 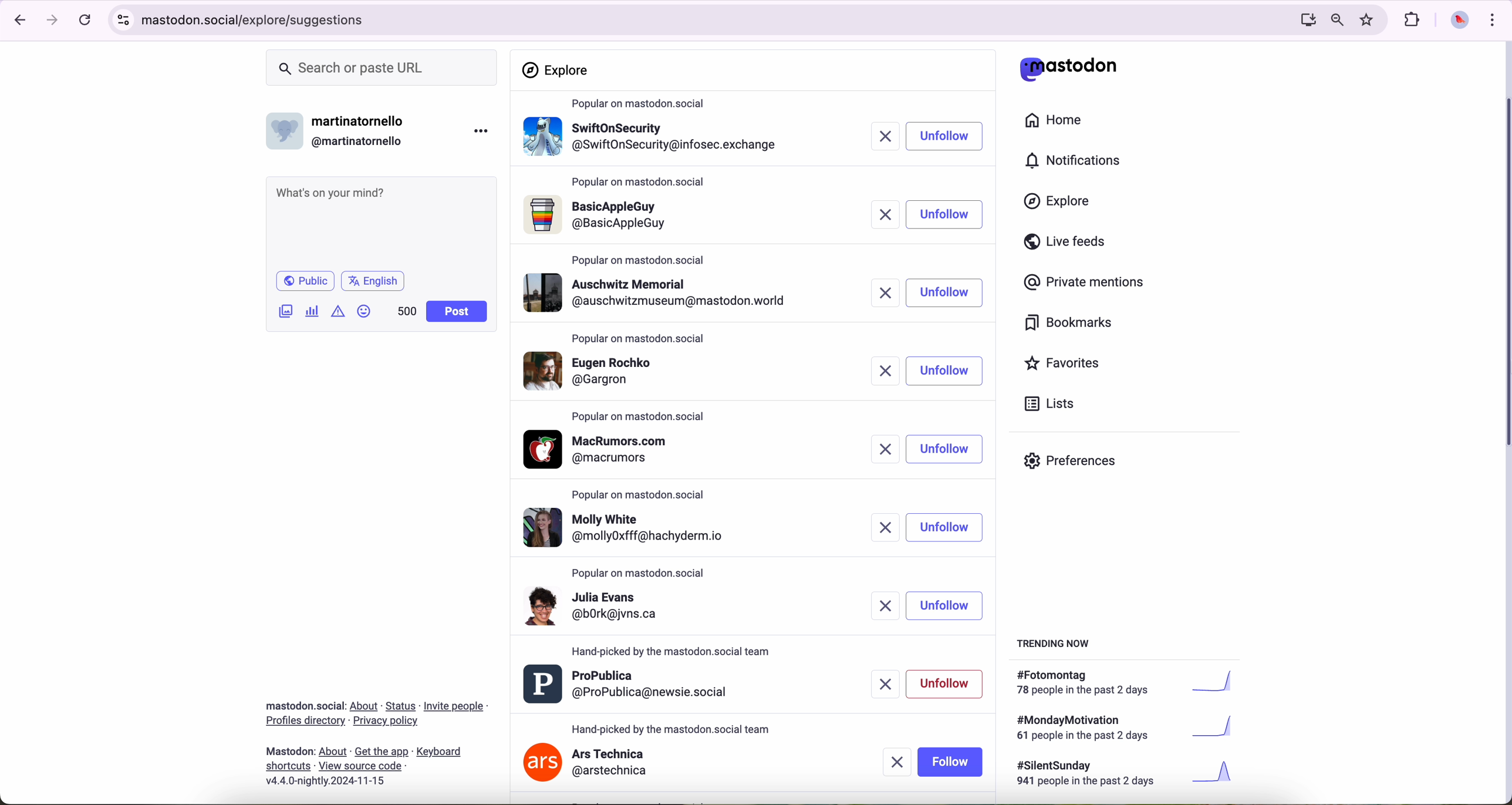 What do you see at coordinates (654, 218) in the screenshot?
I see `profile` at bounding box center [654, 218].